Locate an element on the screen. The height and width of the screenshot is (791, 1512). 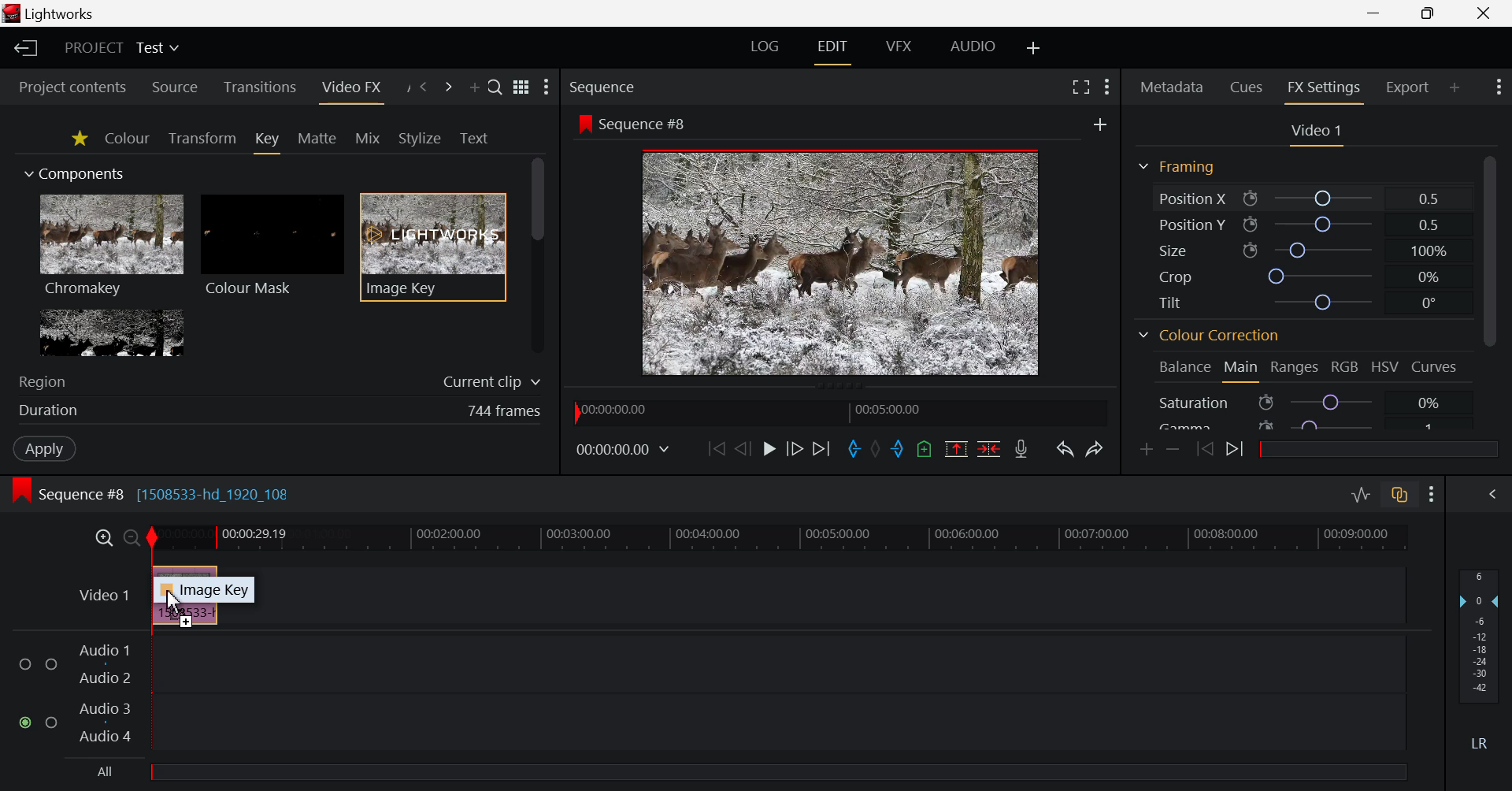
Delete/Cut is located at coordinates (988, 448).